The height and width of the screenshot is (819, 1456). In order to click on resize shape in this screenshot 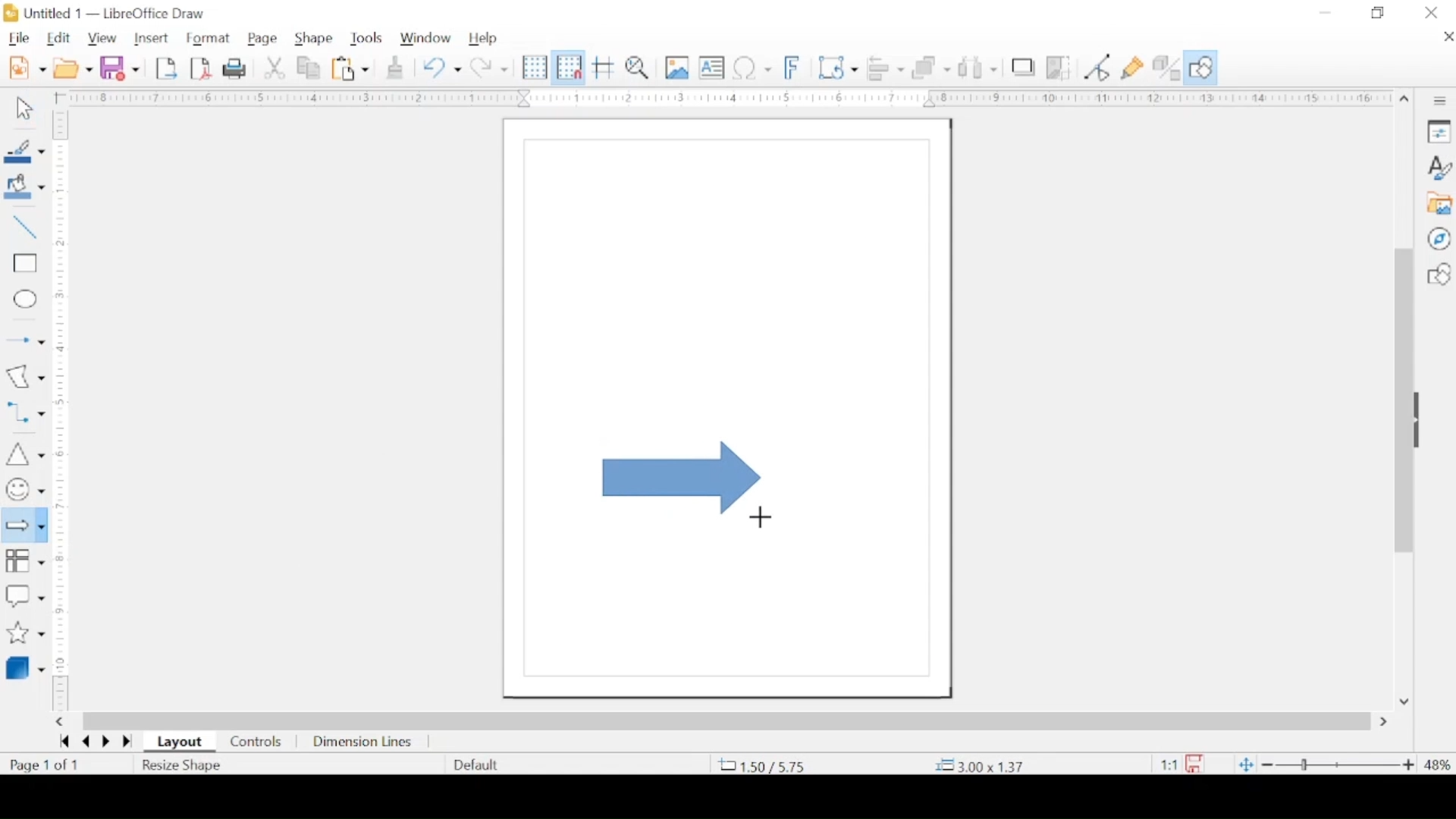, I will do `click(184, 767)`.